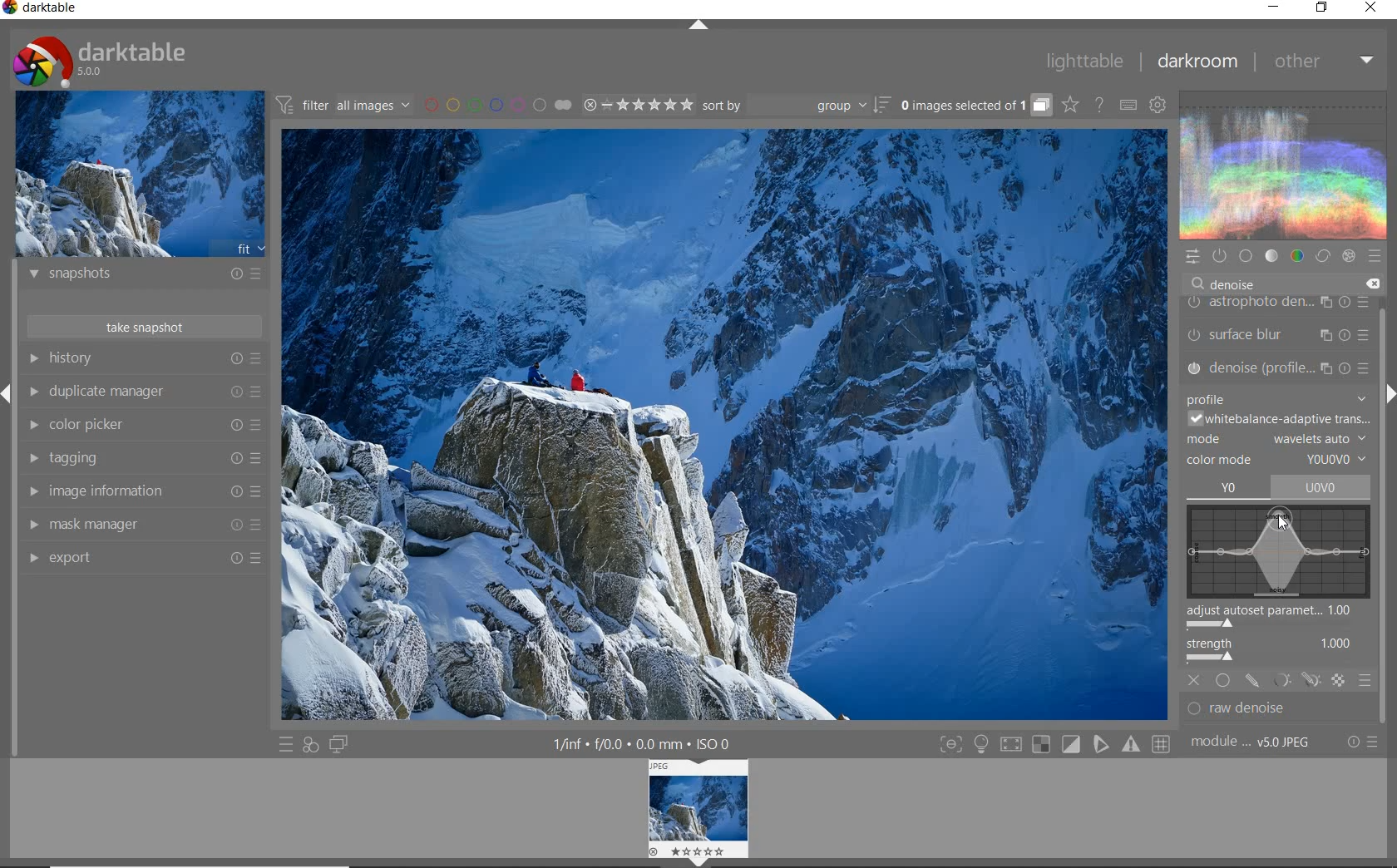  I want to click on image preview, so click(139, 173).